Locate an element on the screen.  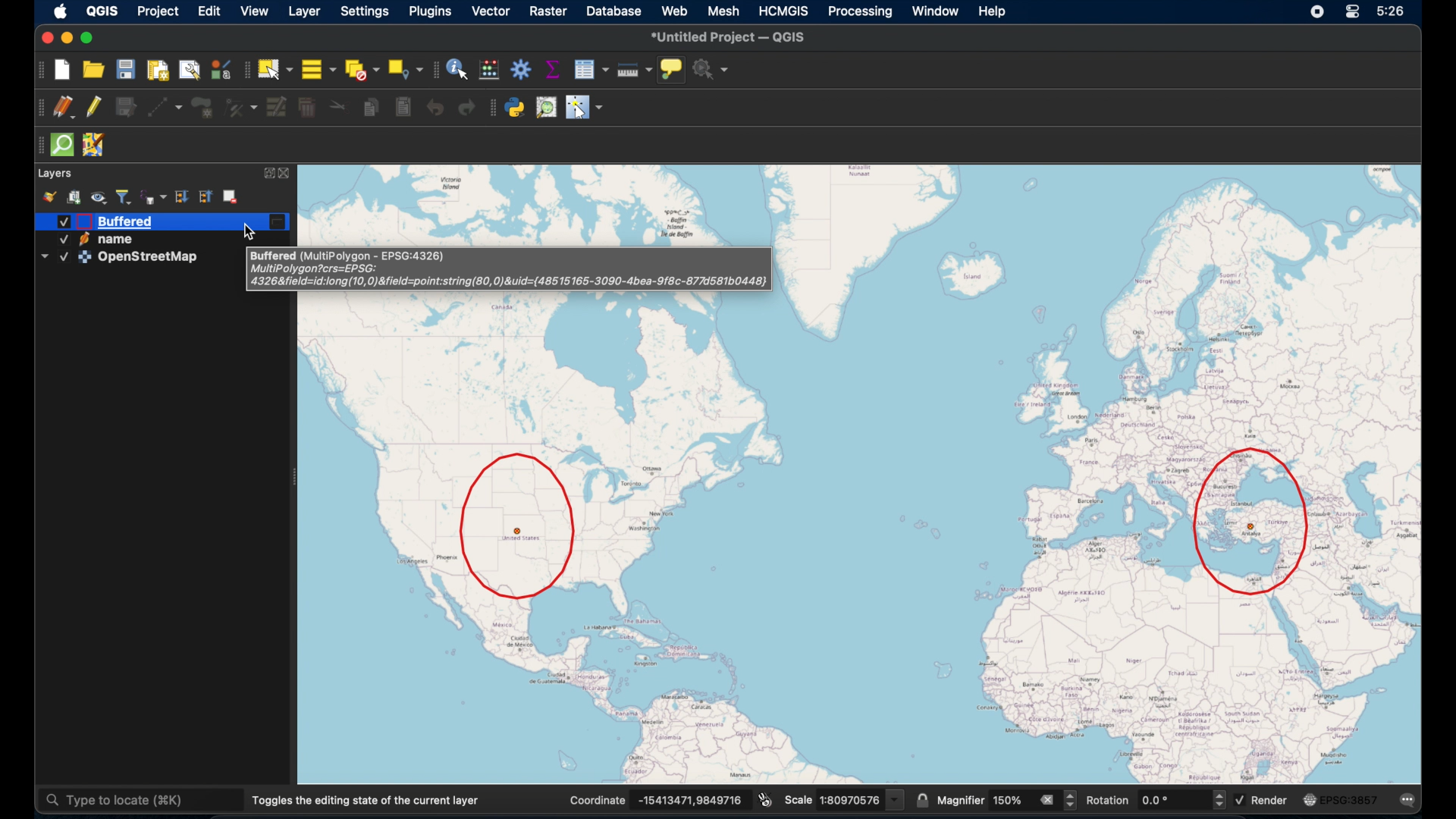
delete selected is located at coordinates (306, 108).